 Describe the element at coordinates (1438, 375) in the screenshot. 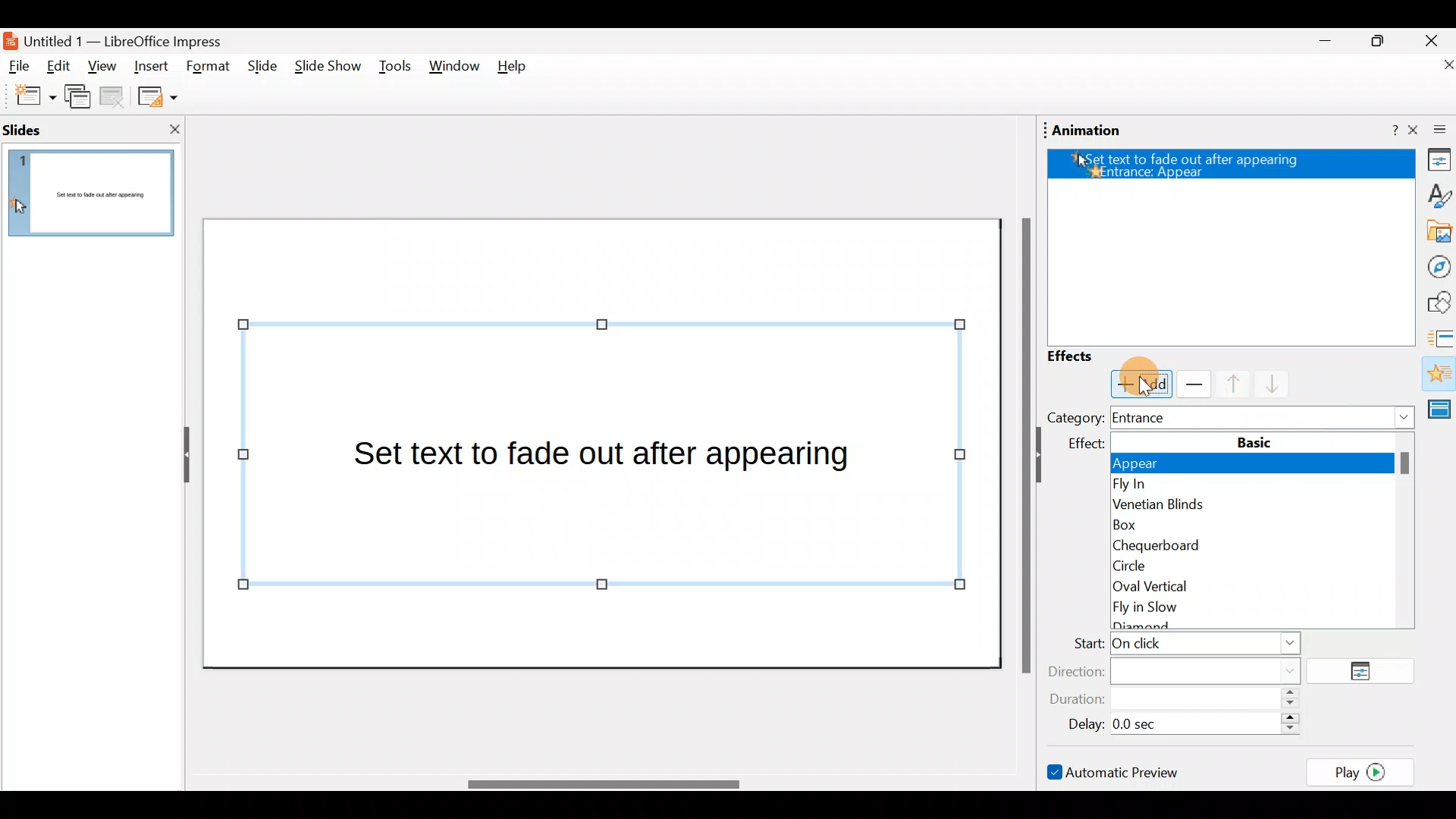

I see `Animation` at that location.